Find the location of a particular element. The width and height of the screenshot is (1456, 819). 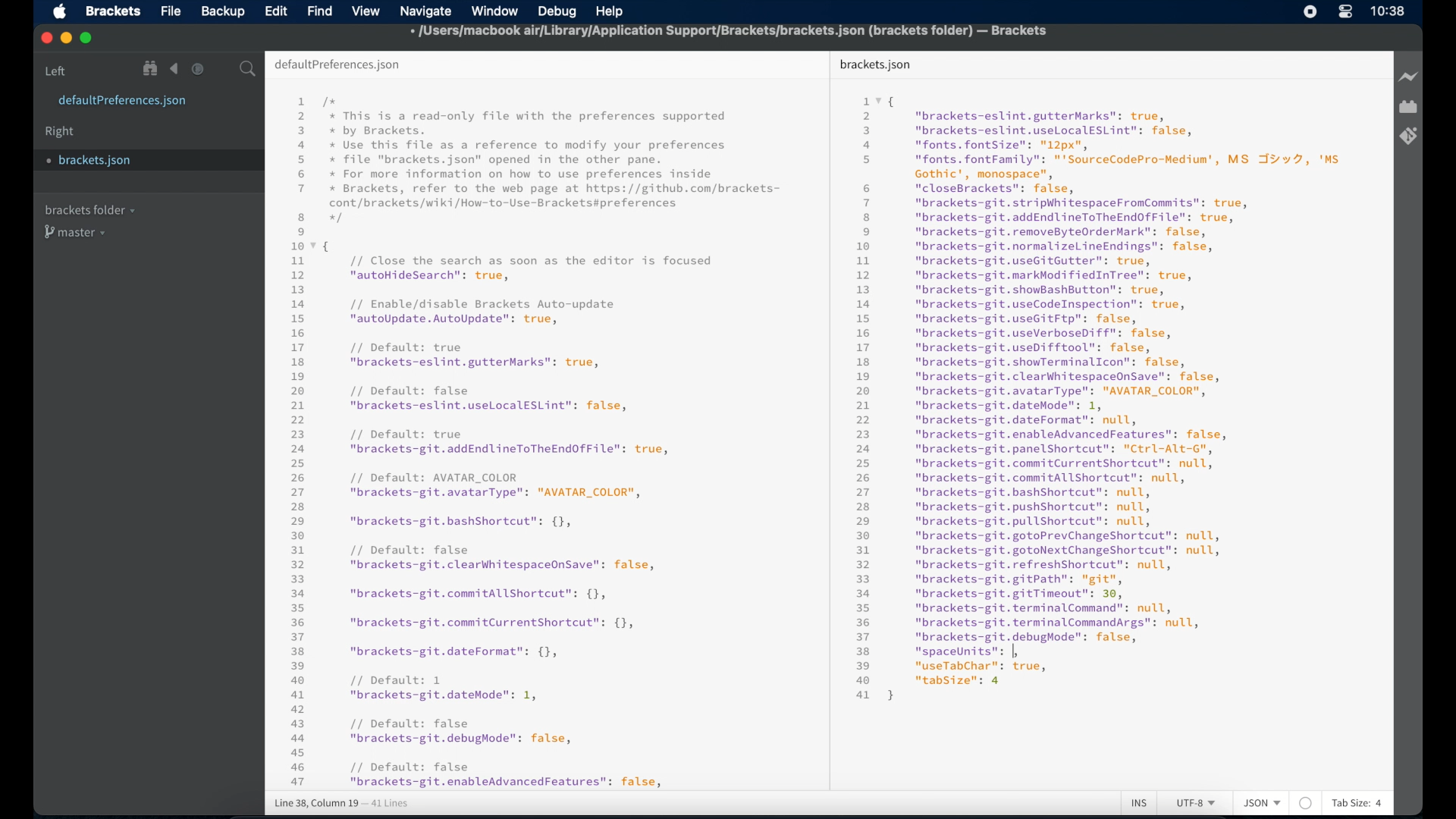

json syntax is located at coordinates (1098, 397).